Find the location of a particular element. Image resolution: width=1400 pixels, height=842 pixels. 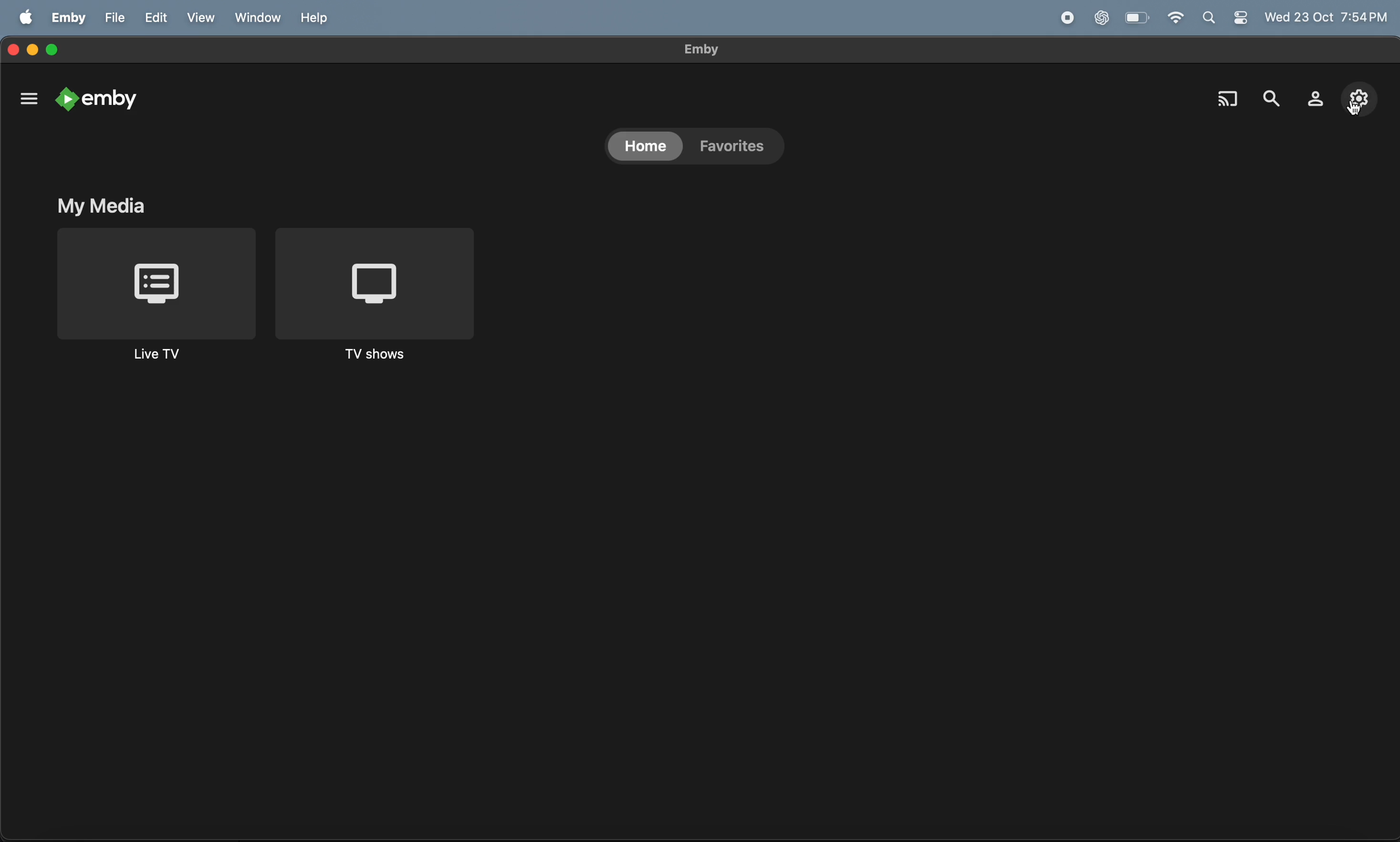

my media is located at coordinates (103, 204).